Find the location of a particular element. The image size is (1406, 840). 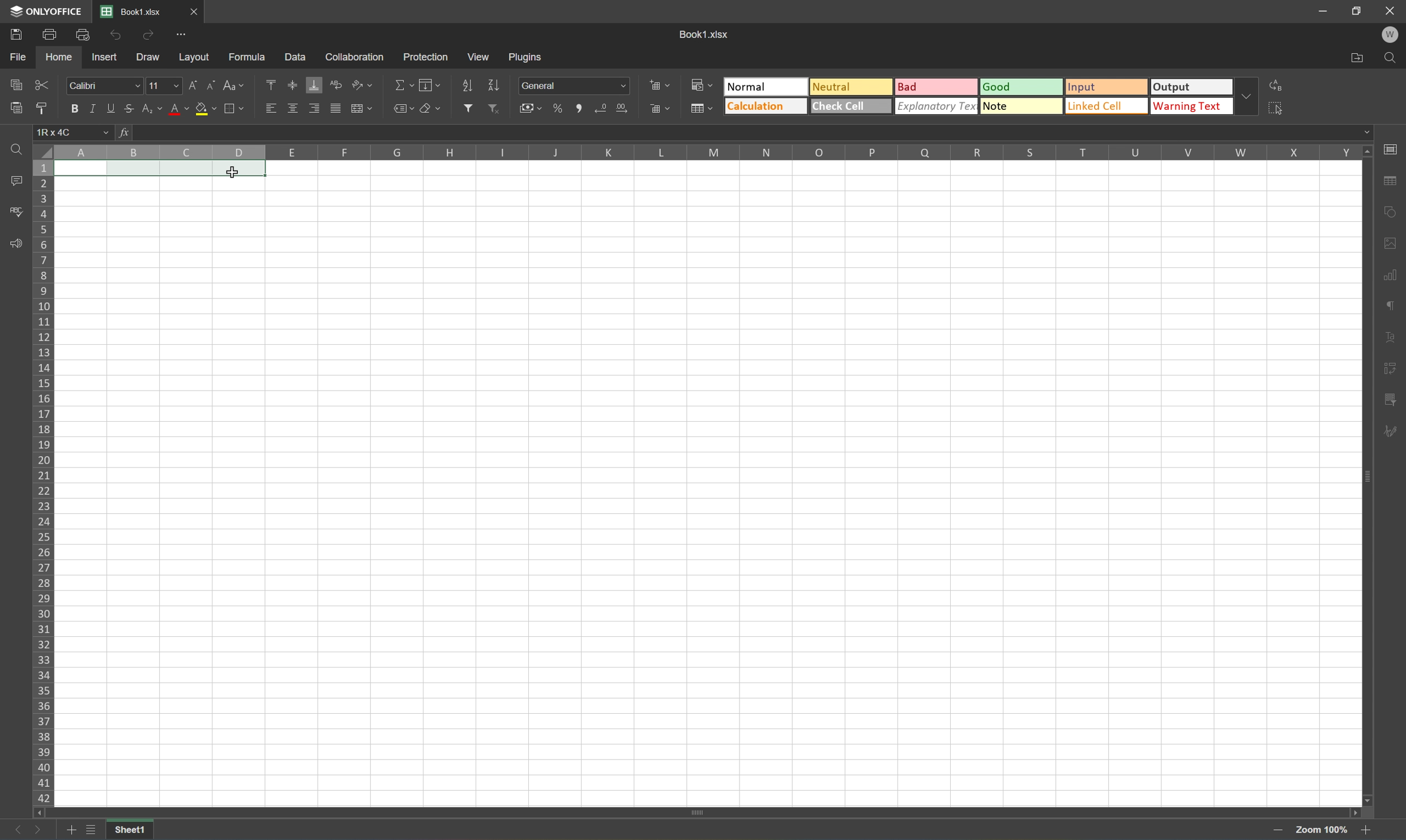

Summation is located at coordinates (402, 85).